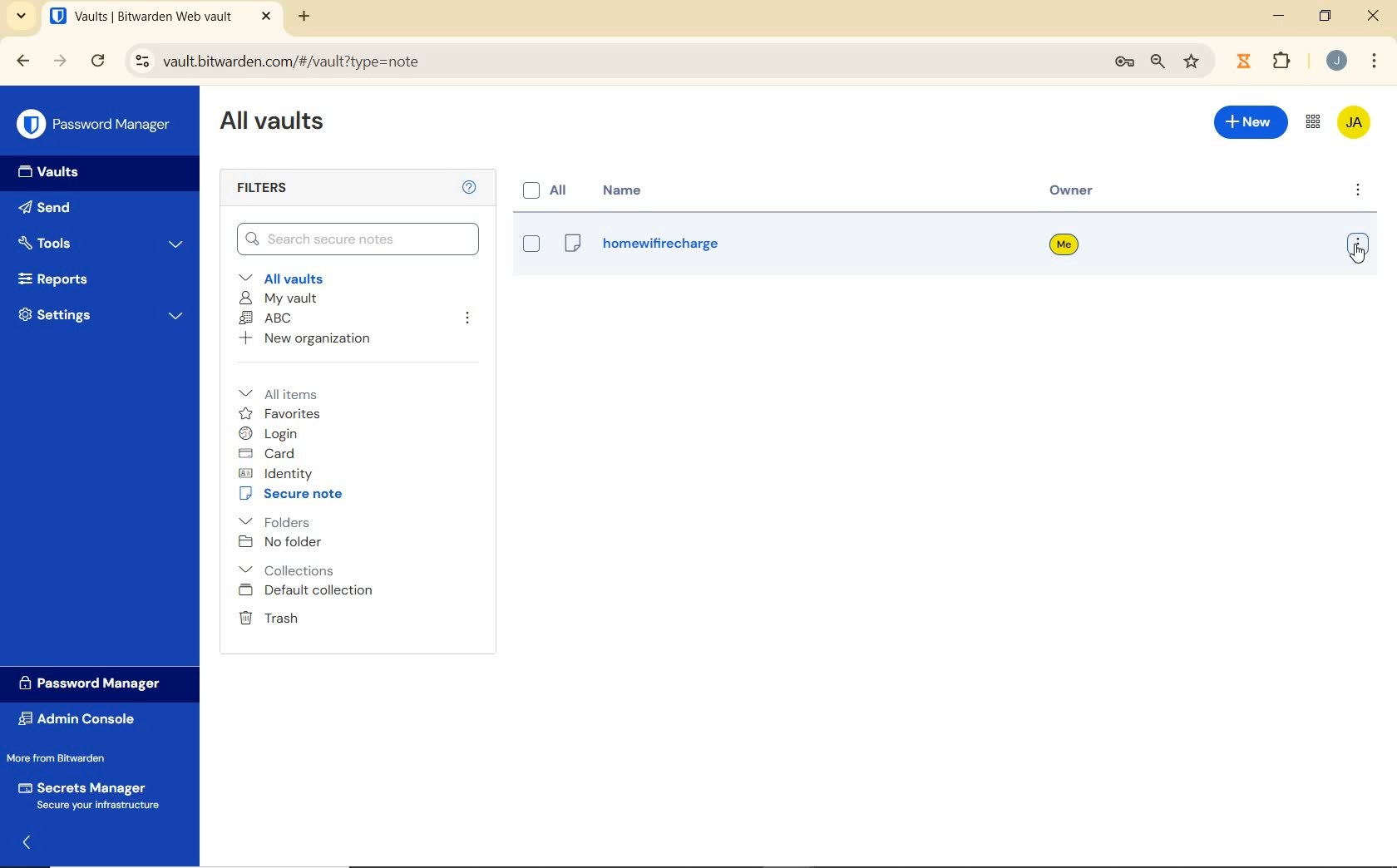 This screenshot has height=868, width=1397. I want to click on more options, so click(1356, 246).